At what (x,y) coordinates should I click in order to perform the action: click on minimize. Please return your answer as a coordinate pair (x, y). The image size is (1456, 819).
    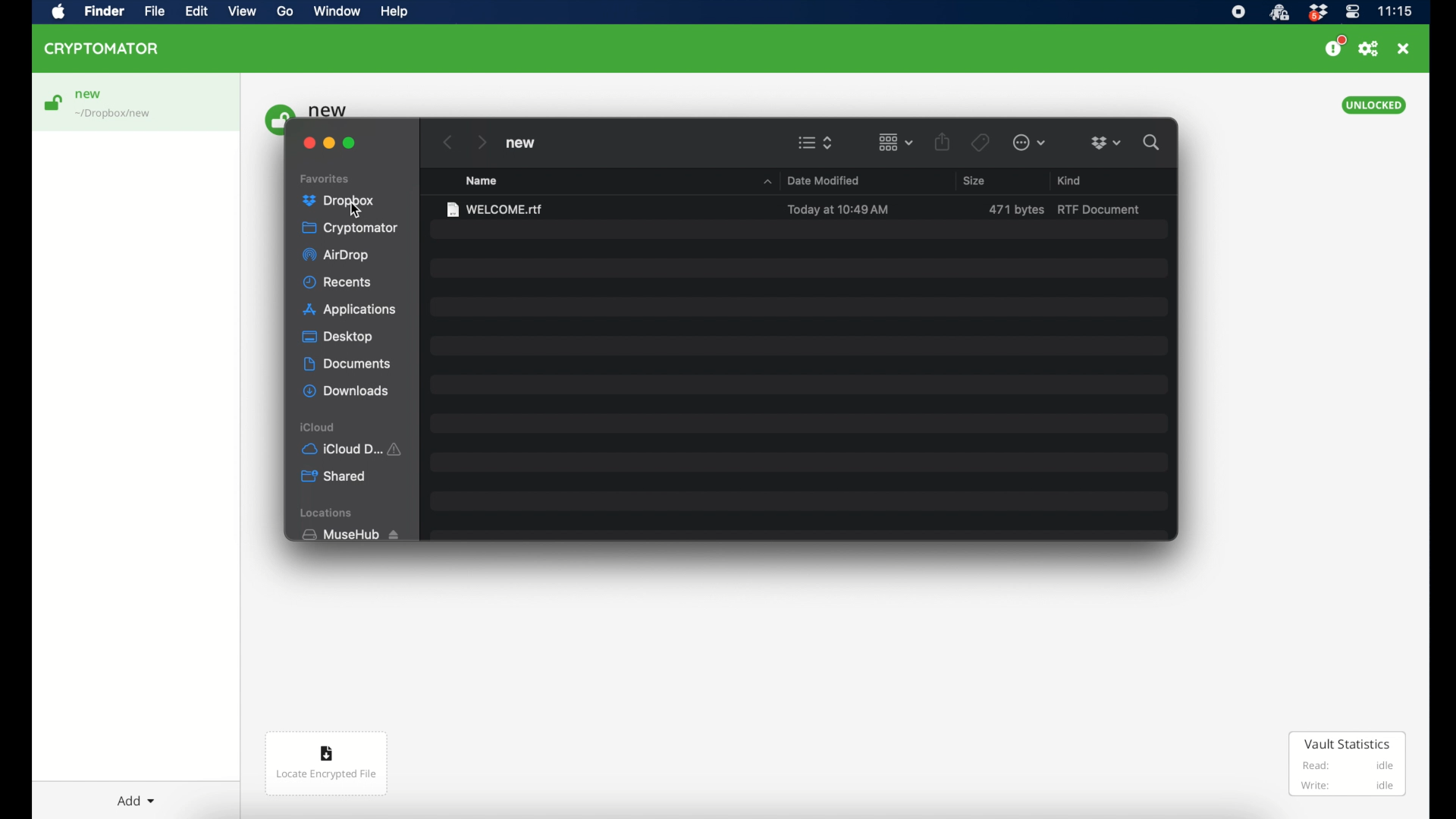
    Looking at the image, I should click on (329, 143).